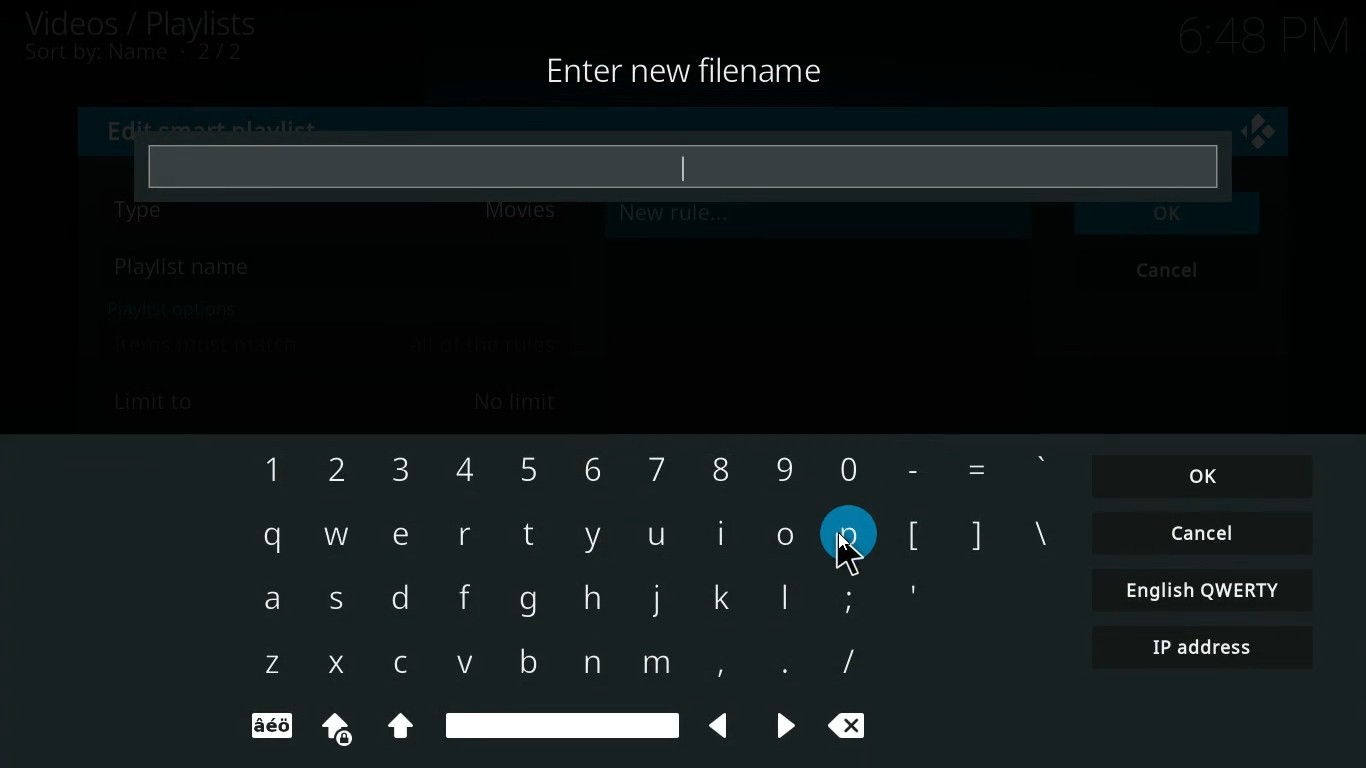 The width and height of the screenshot is (1366, 768). Describe the element at coordinates (339, 221) in the screenshot. I see `type ` at that location.